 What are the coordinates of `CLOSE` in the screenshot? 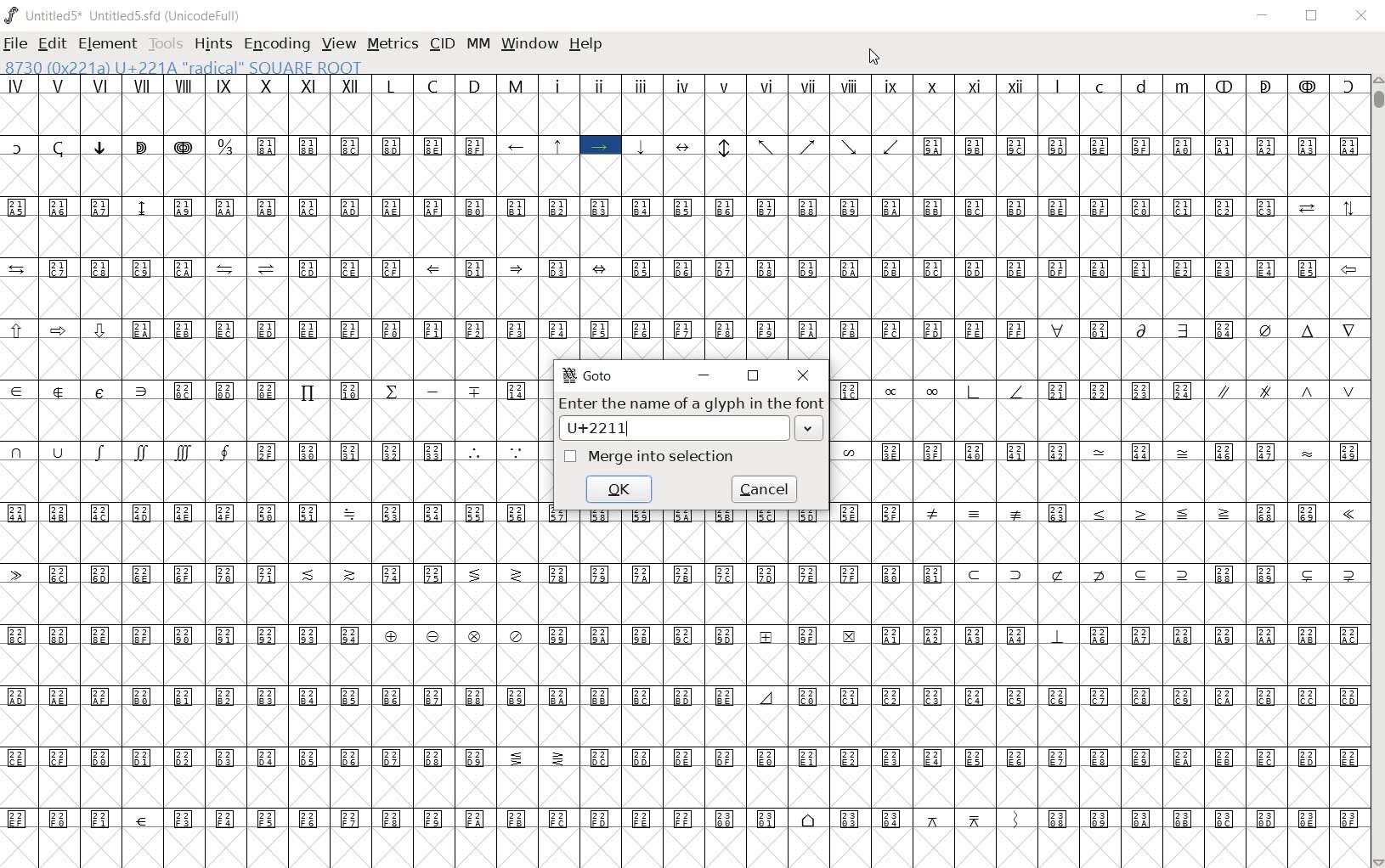 It's located at (802, 375).